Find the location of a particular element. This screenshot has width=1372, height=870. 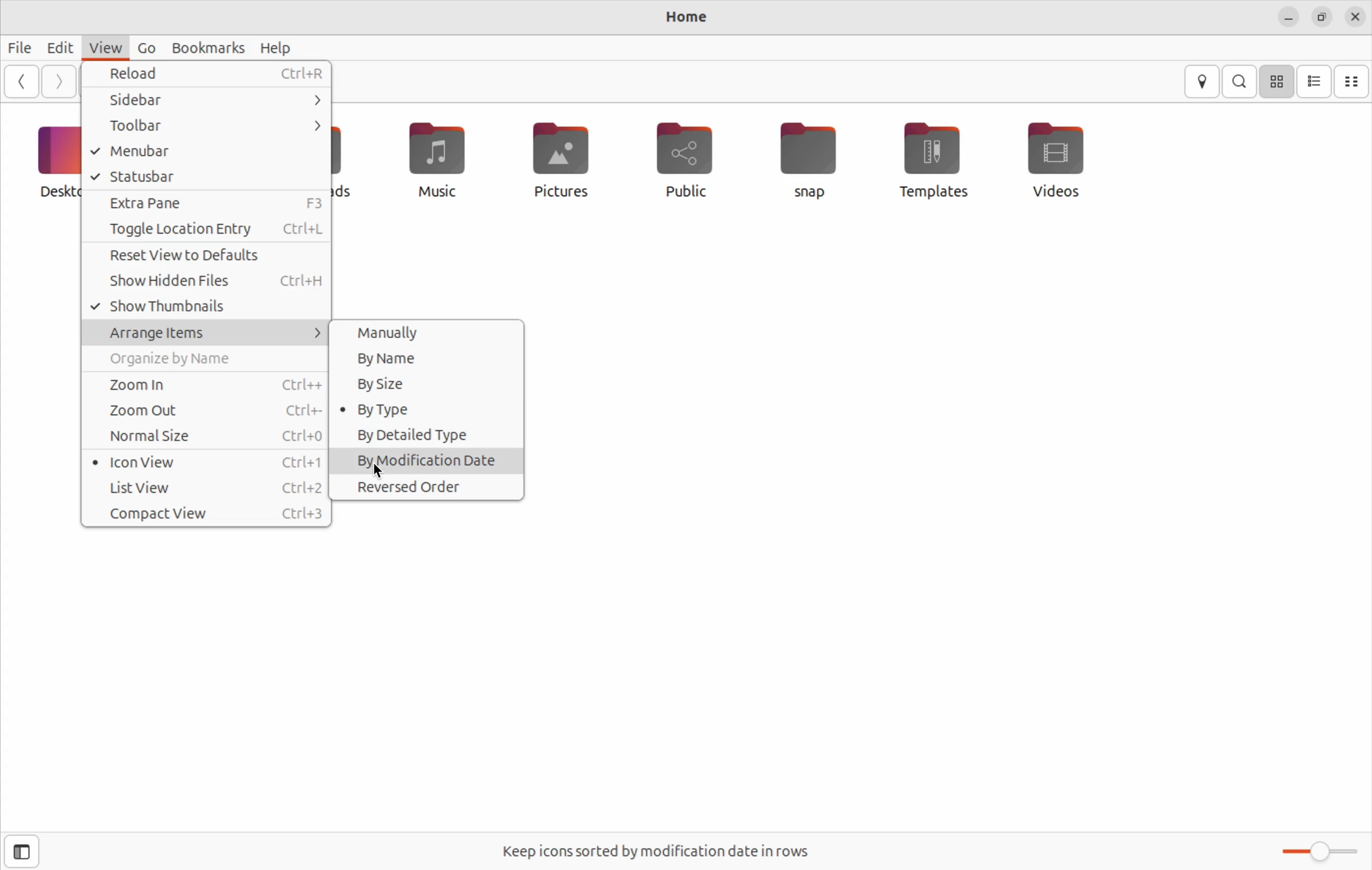

by size is located at coordinates (427, 384).